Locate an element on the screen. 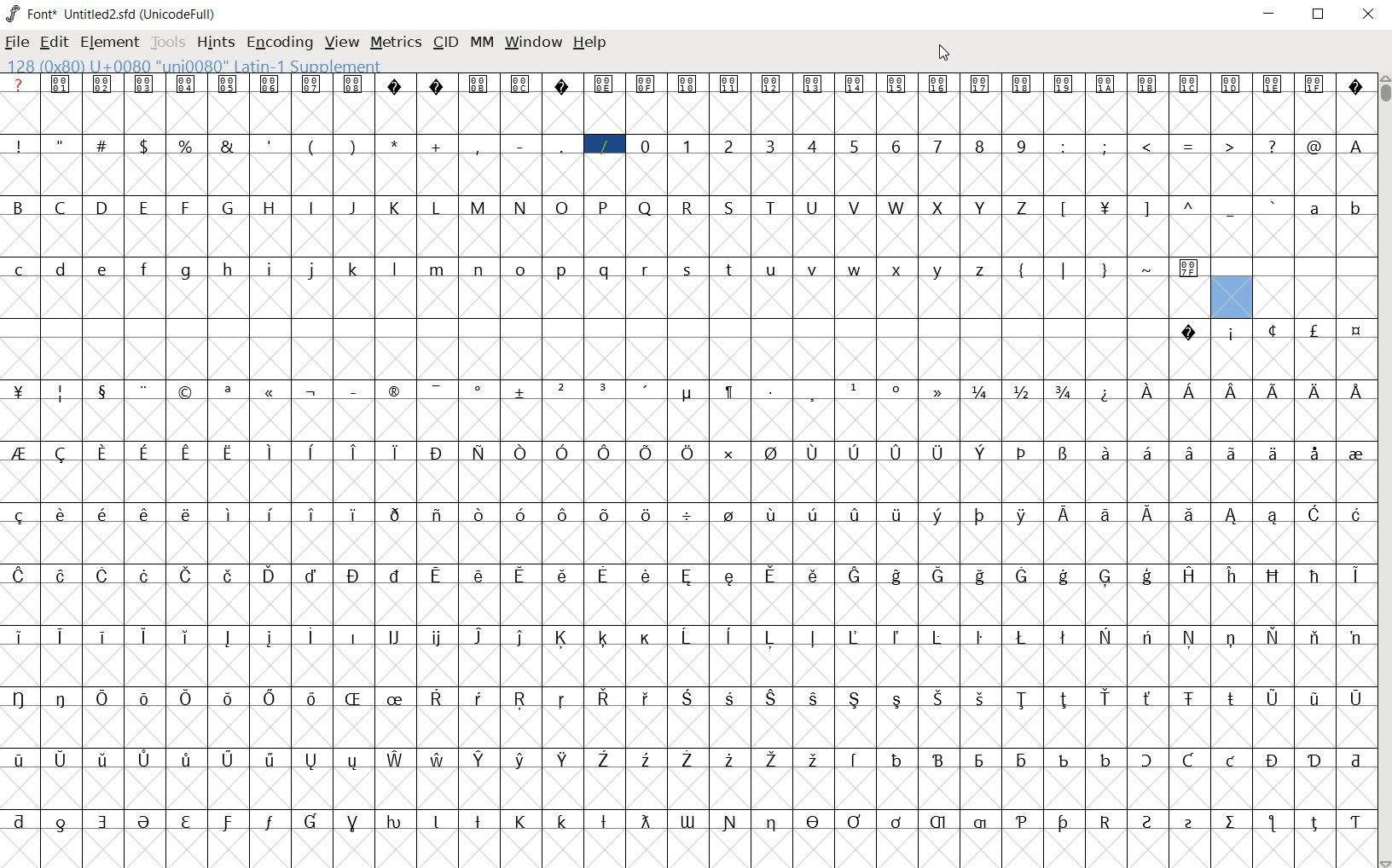 This screenshot has height=868, width=1392. glyph is located at coordinates (1231, 639).